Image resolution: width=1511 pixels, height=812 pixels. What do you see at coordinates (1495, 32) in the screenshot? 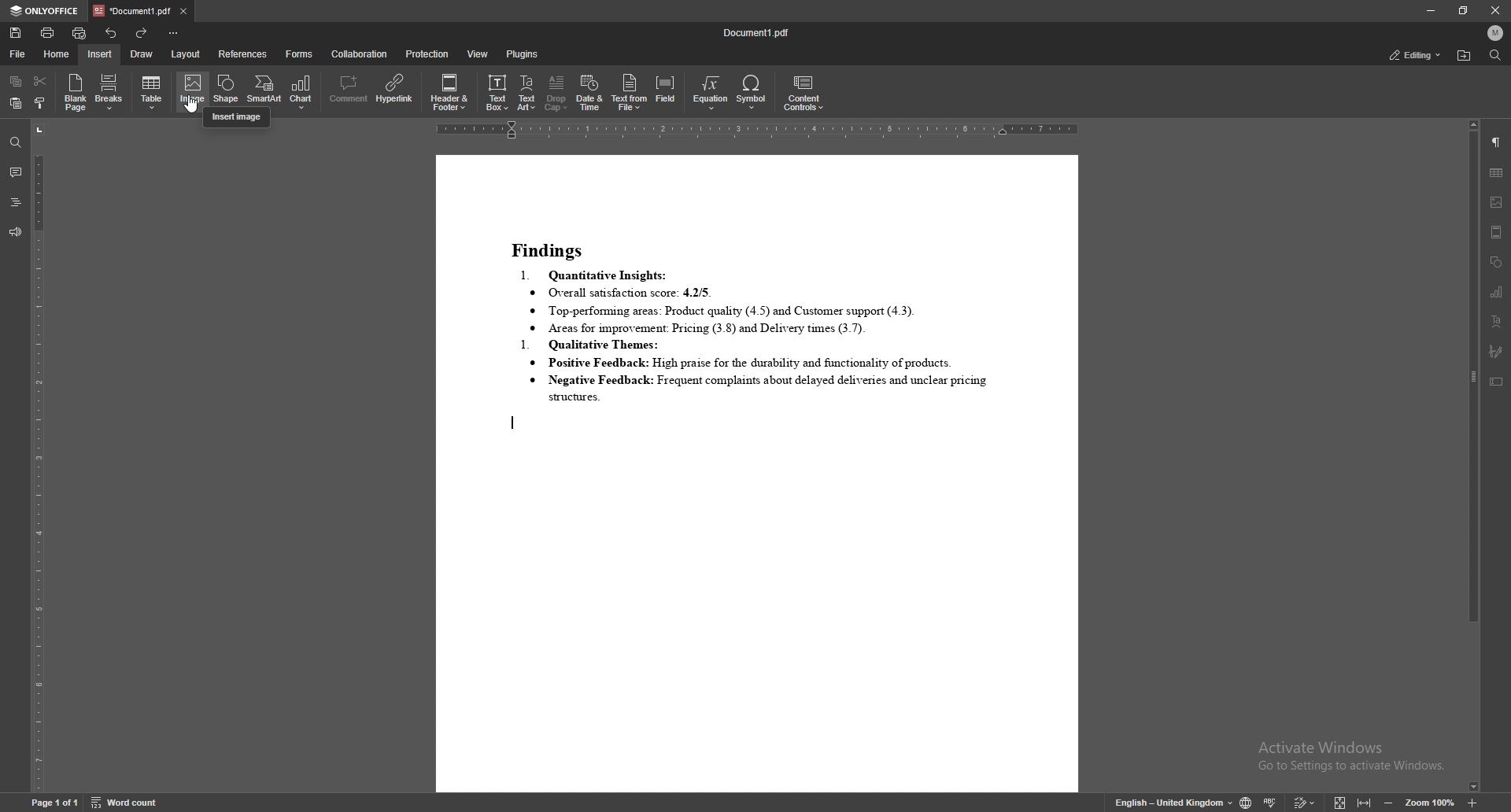
I see `profile` at bounding box center [1495, 32].